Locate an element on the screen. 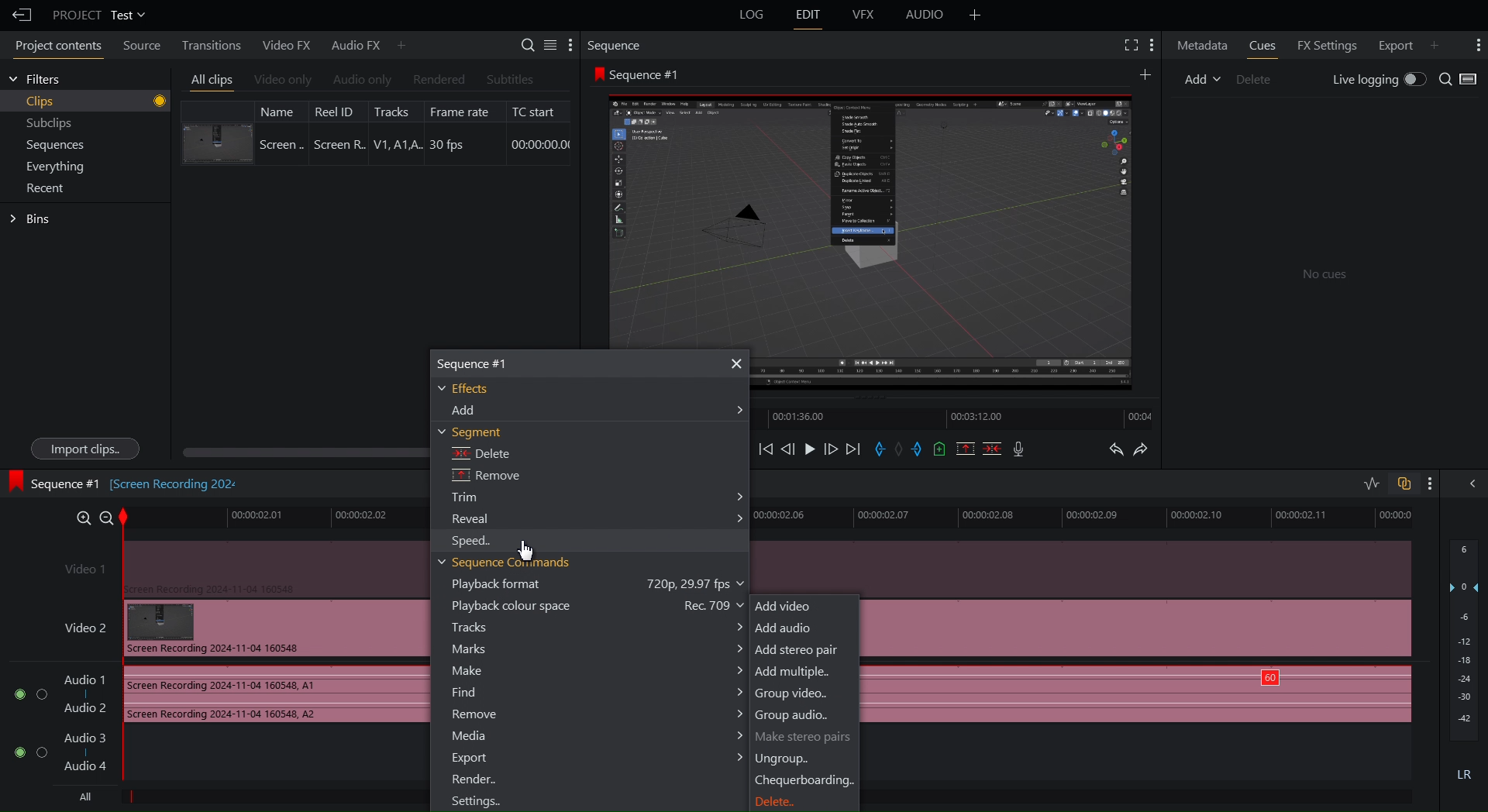 The width and height of the screenshot is (1488, 812). Timeline is located at coordinates (1091, 514).